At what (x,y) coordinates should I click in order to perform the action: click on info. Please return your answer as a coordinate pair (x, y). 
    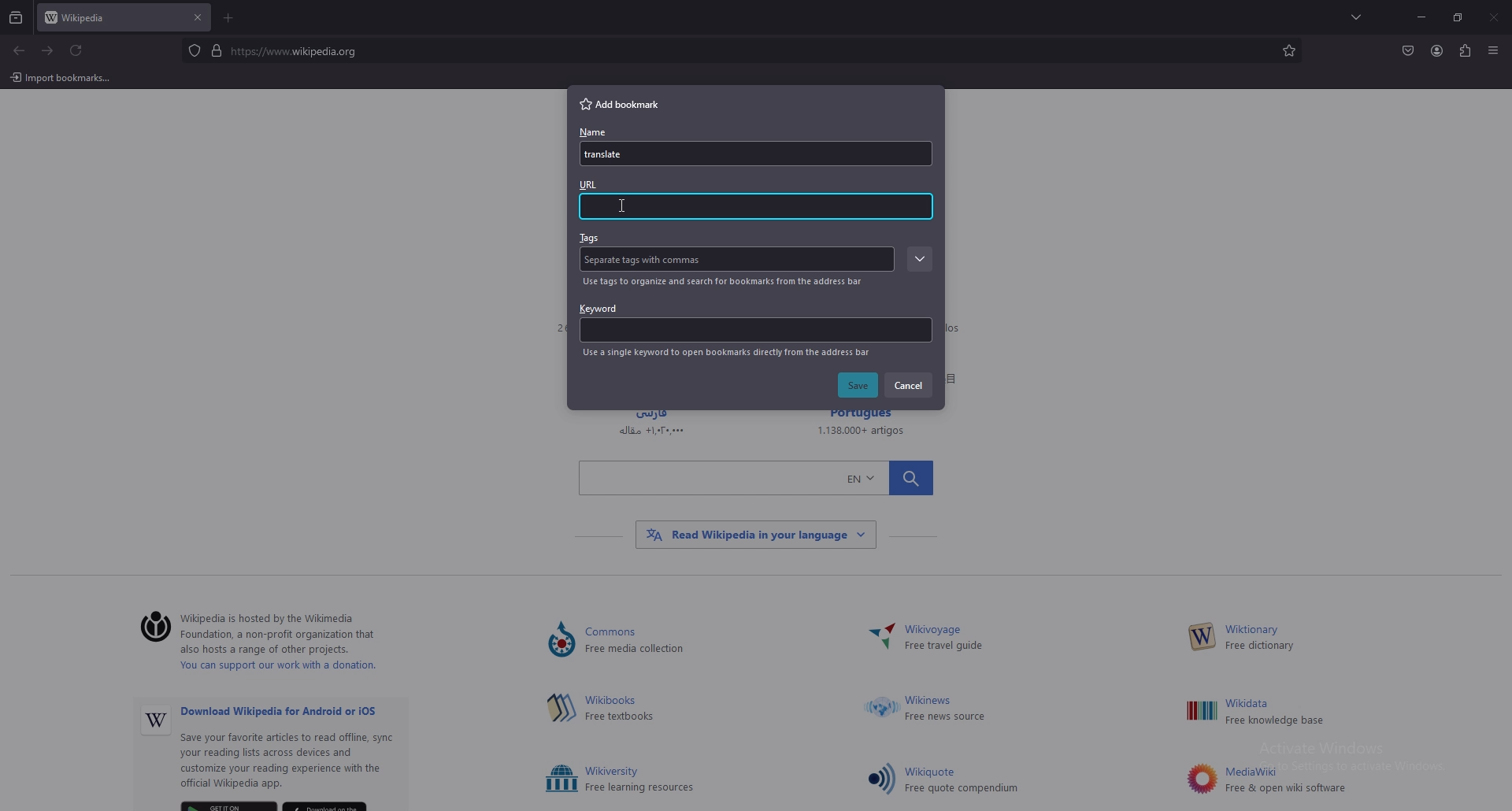
    Looking at the image, I should click on (727, 353).